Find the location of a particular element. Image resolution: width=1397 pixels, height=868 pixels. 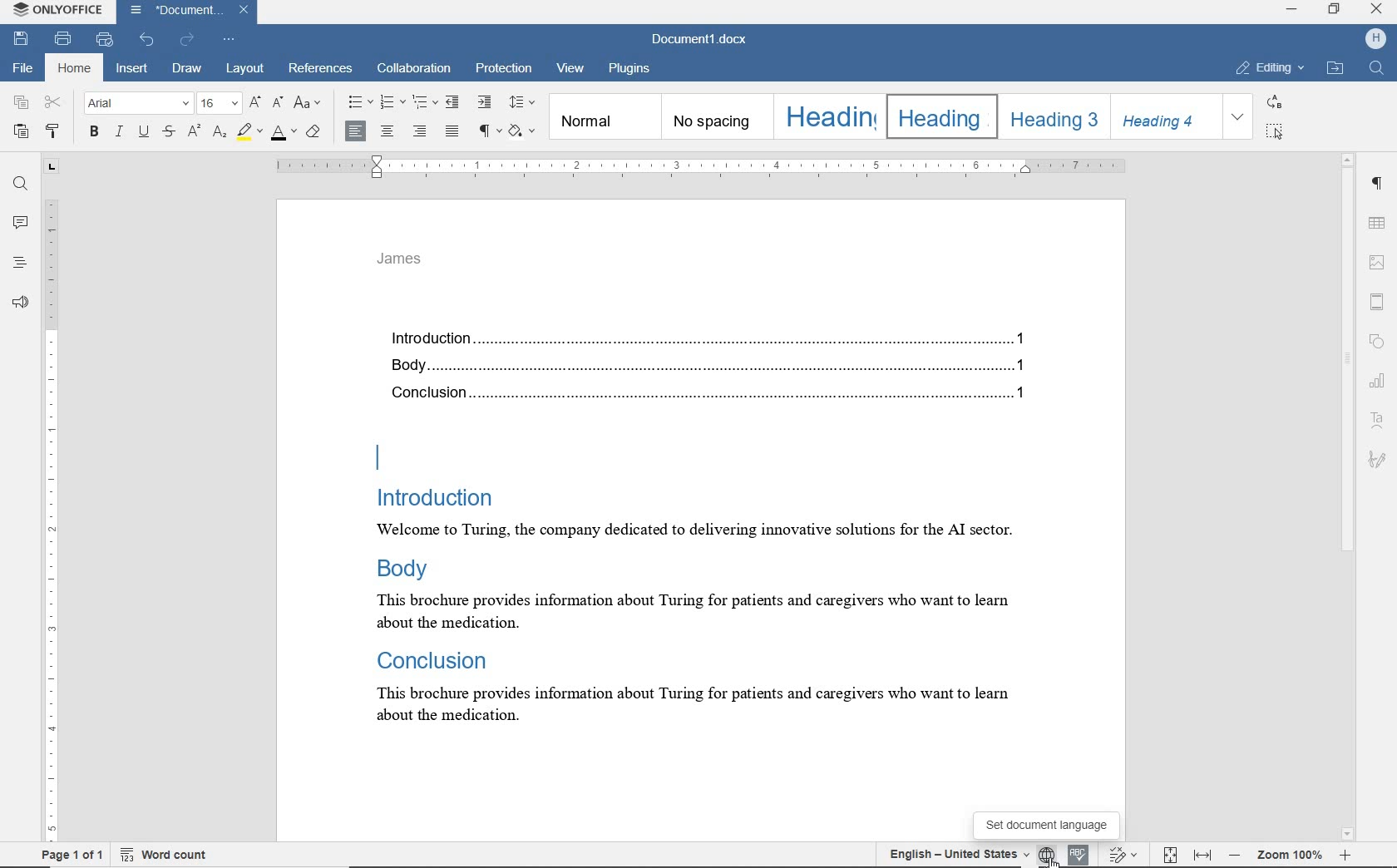

increment font size is located at coordinates (254, 103).